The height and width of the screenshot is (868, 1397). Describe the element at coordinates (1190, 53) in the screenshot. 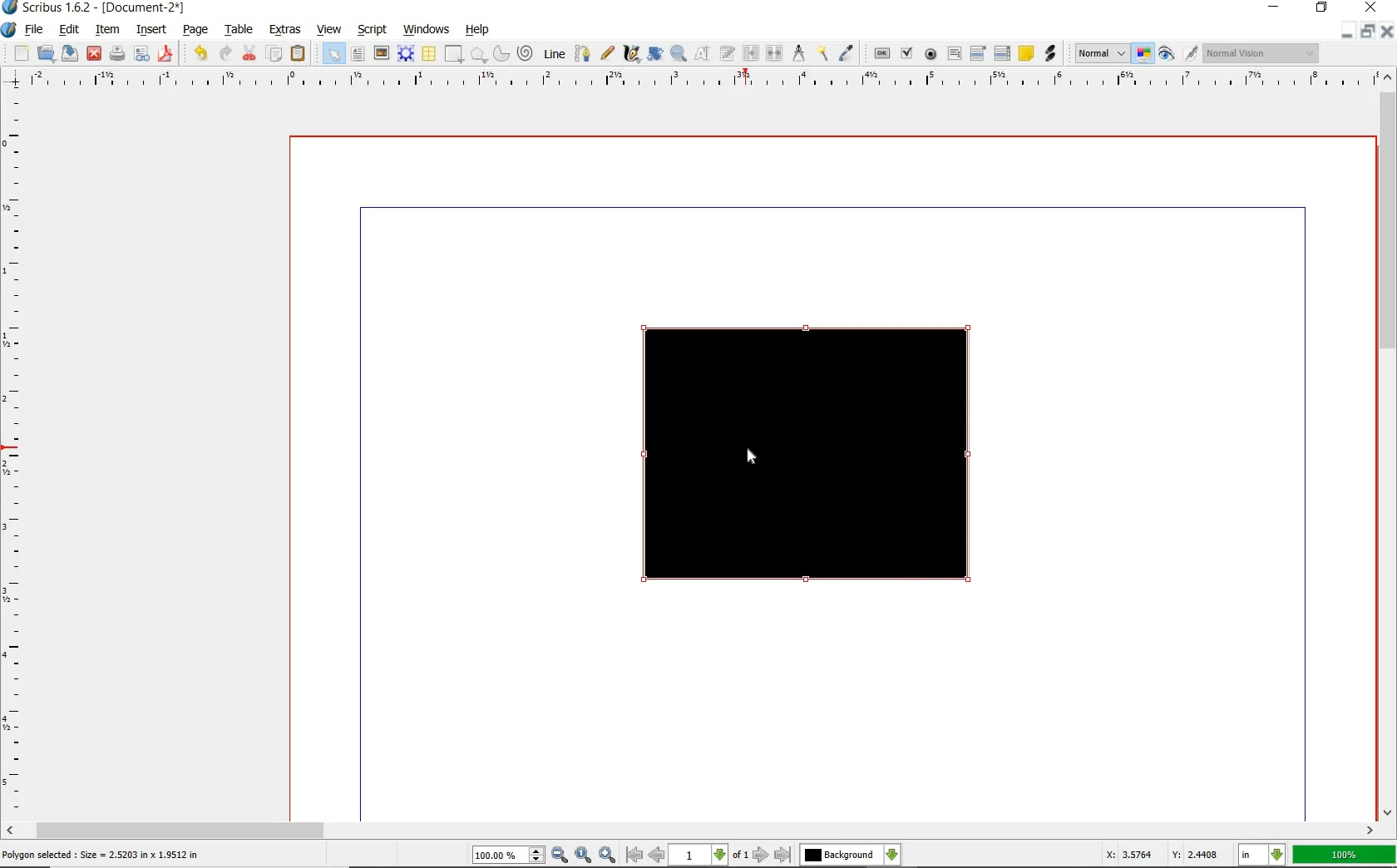

I see `edit in preview mode` at that location.